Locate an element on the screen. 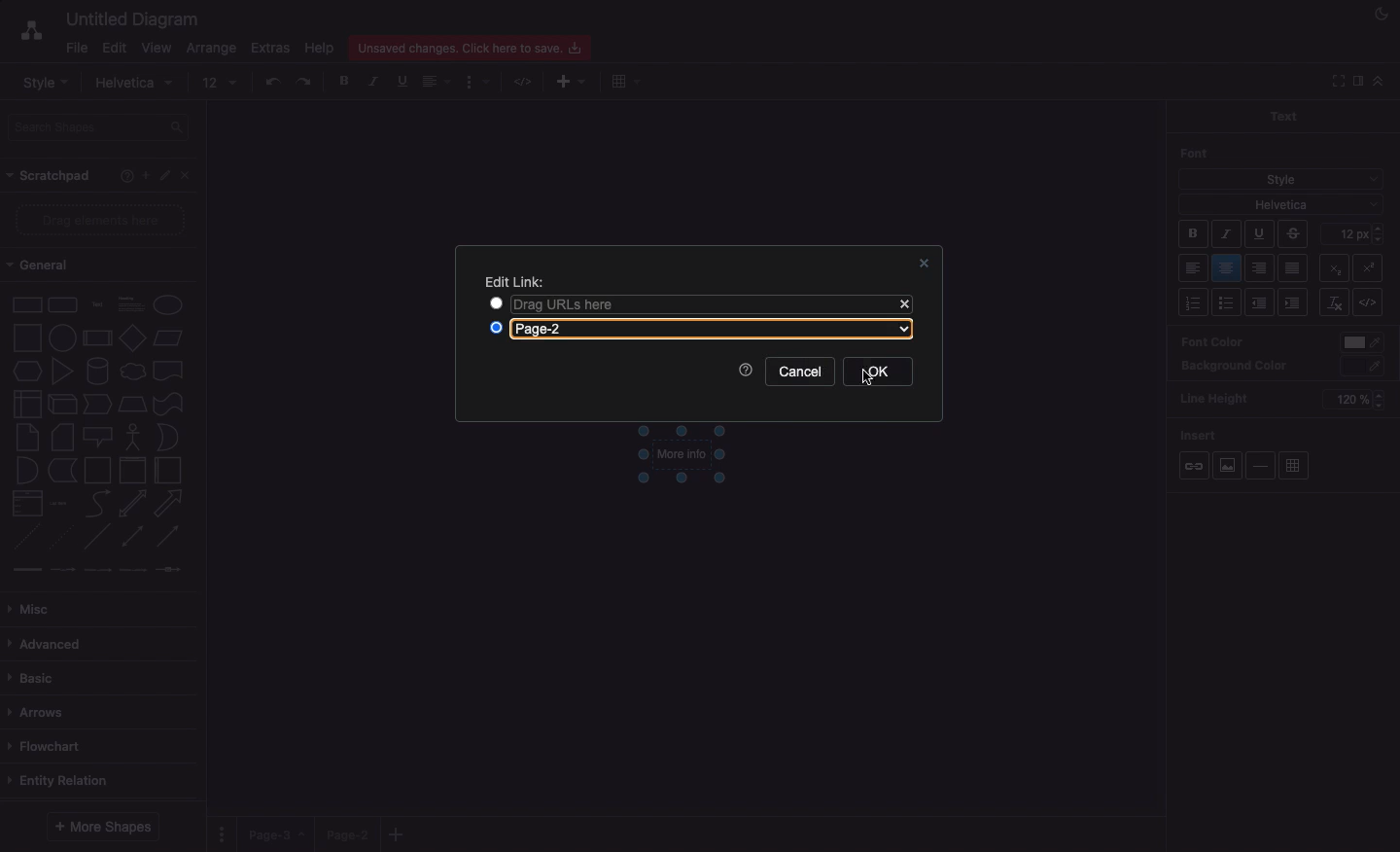 The height and width of the screenshot is (852, 1400). rectangle is located at coordinates (28, 304).